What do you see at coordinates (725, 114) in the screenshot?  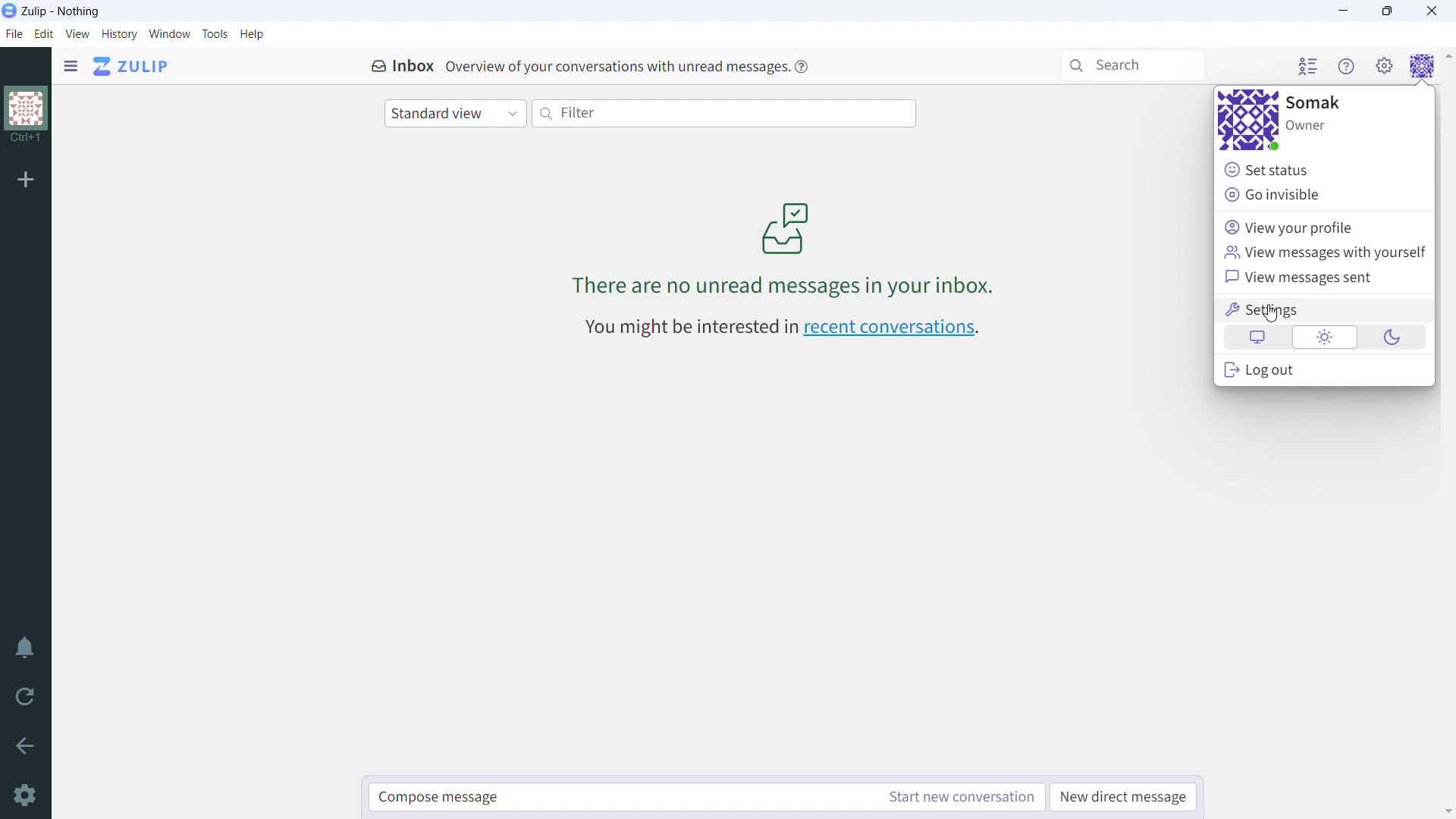 I see `filter` at bounding box center [725, 114].